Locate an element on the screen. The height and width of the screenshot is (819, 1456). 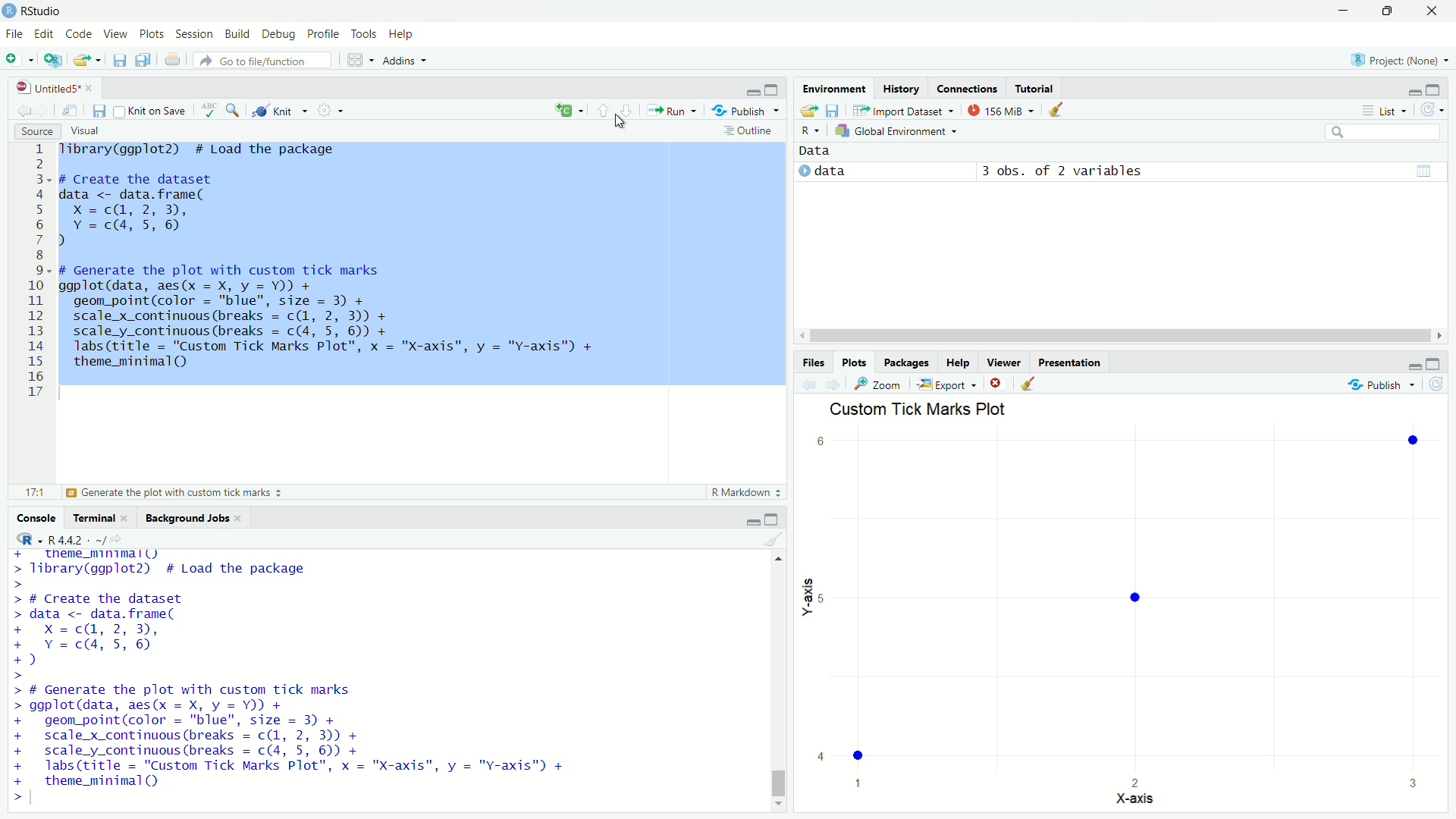
maximize is located at coordinates (1442, 88).